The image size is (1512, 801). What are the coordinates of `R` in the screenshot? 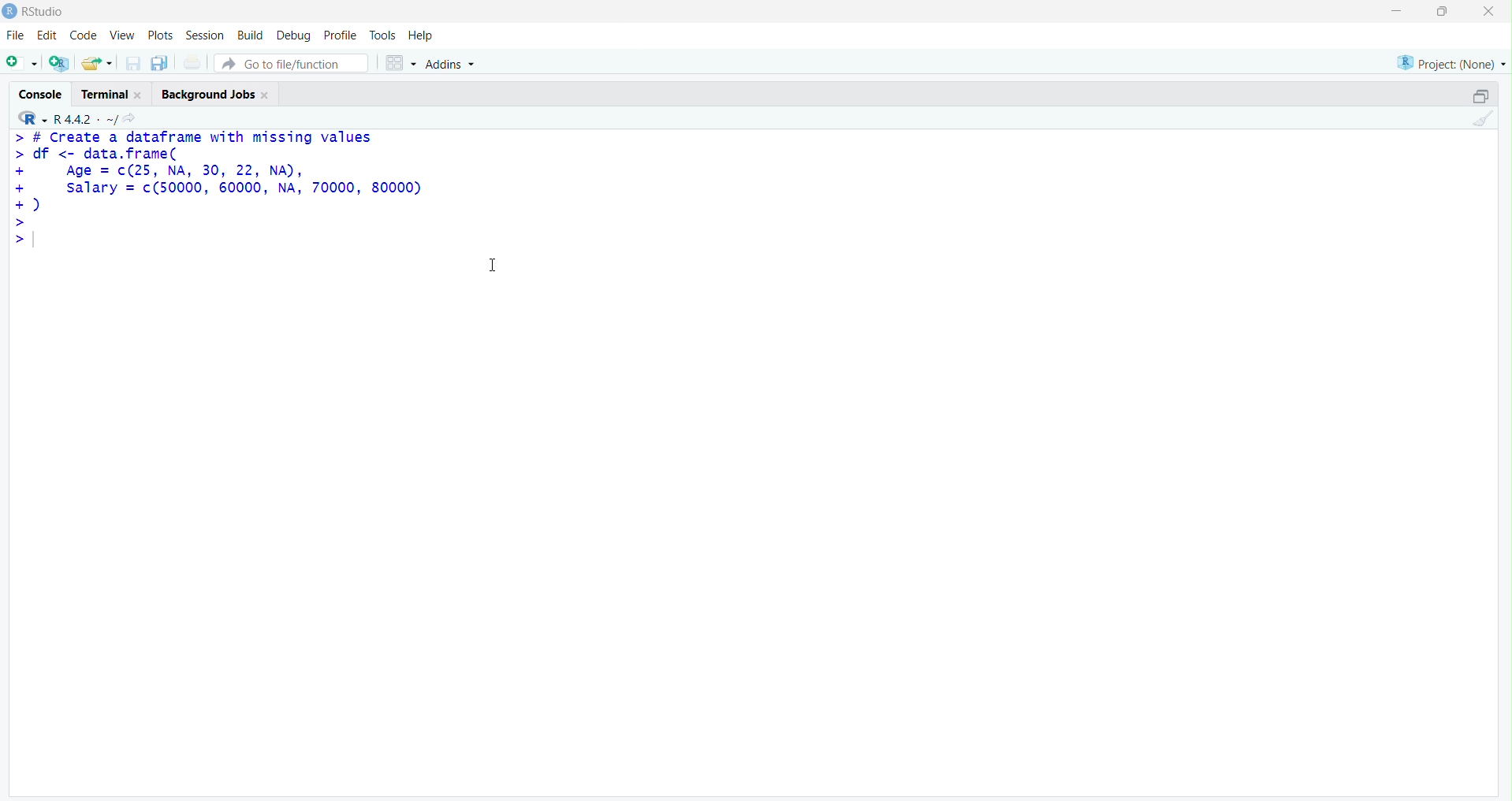 It's located at (30, 117).